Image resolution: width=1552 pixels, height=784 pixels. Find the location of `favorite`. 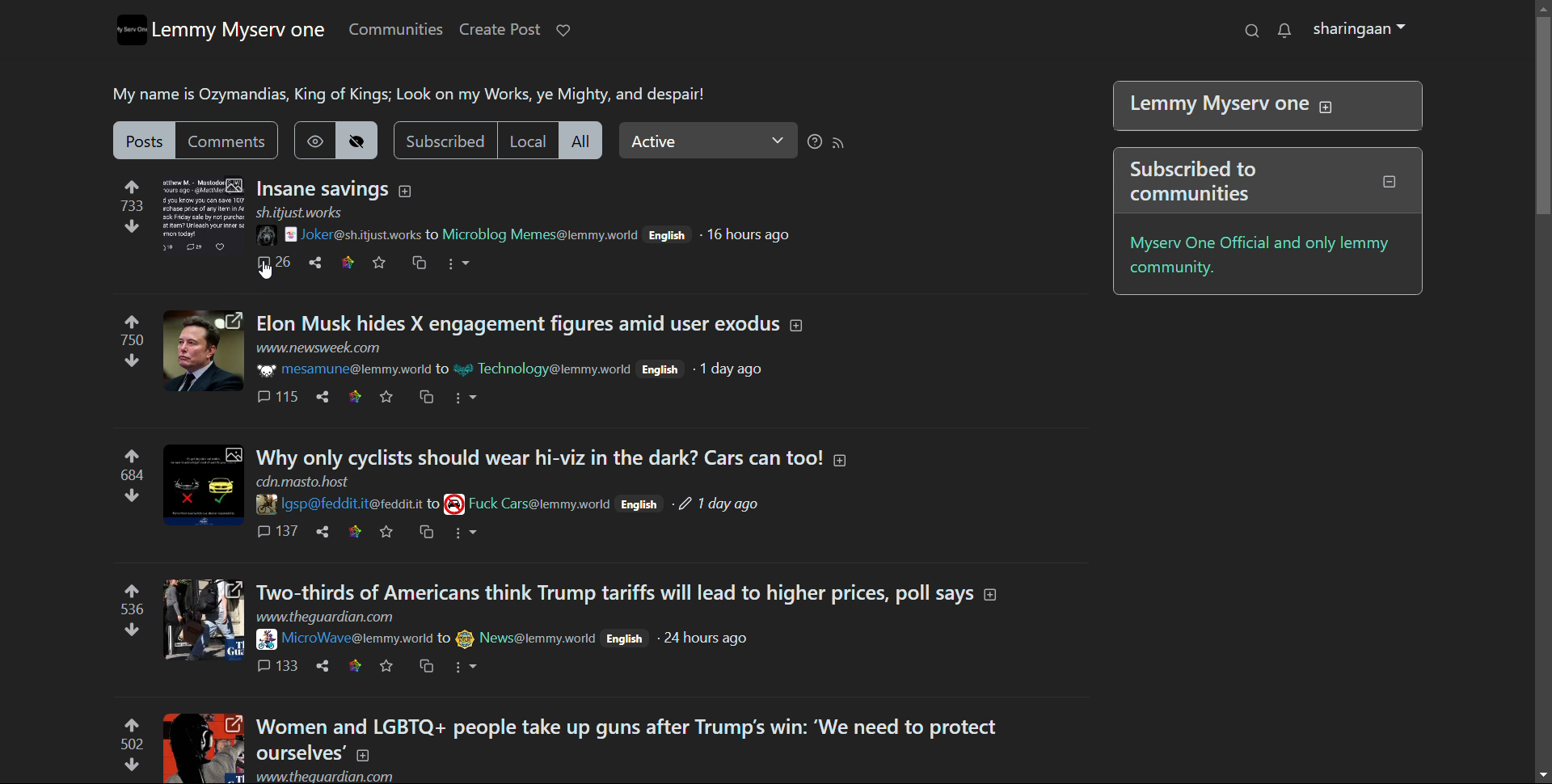

favorite is located at coordinates (386, 533).